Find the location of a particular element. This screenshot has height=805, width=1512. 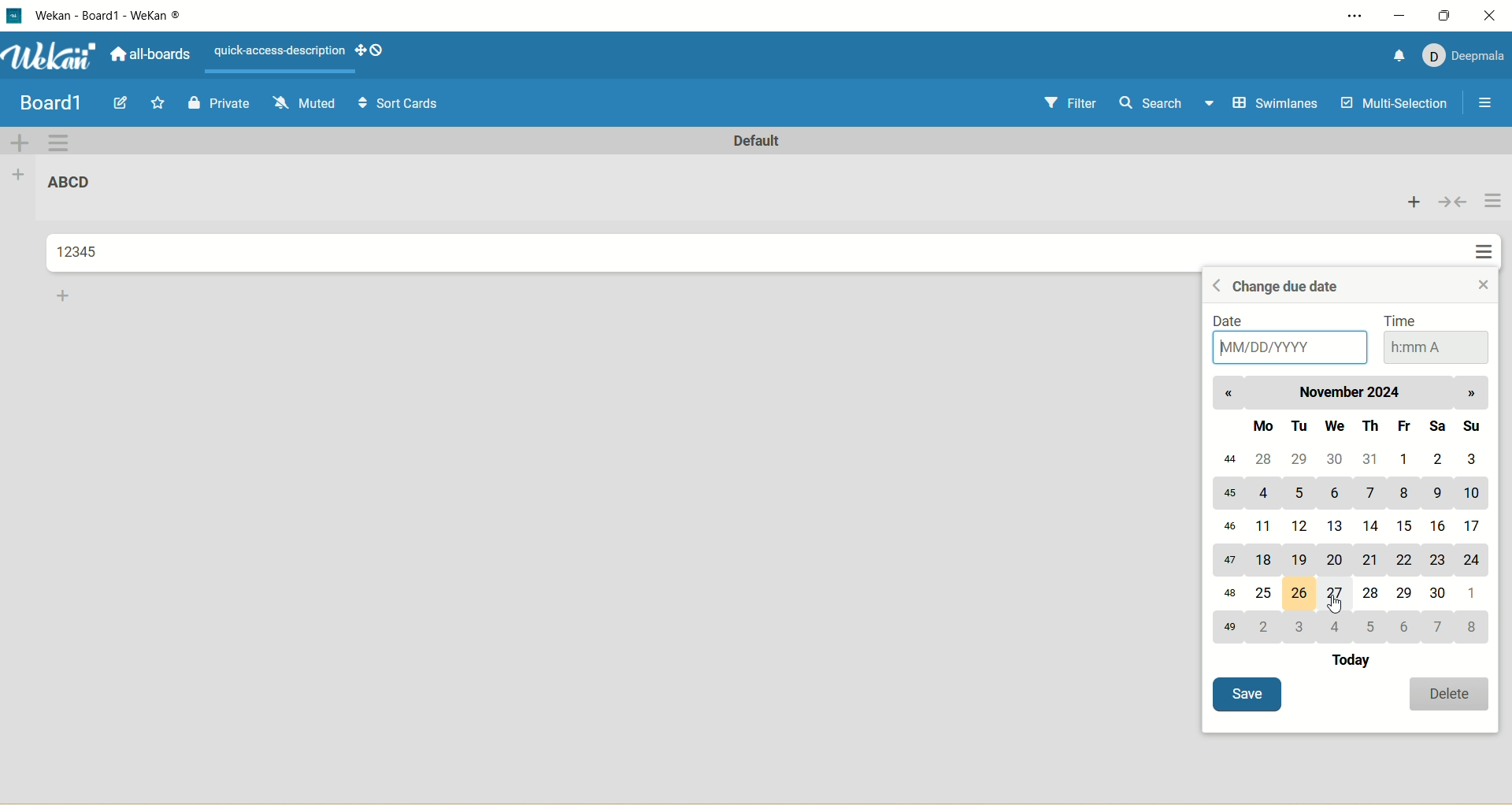

sort cards is located at coordinates (402, 103).